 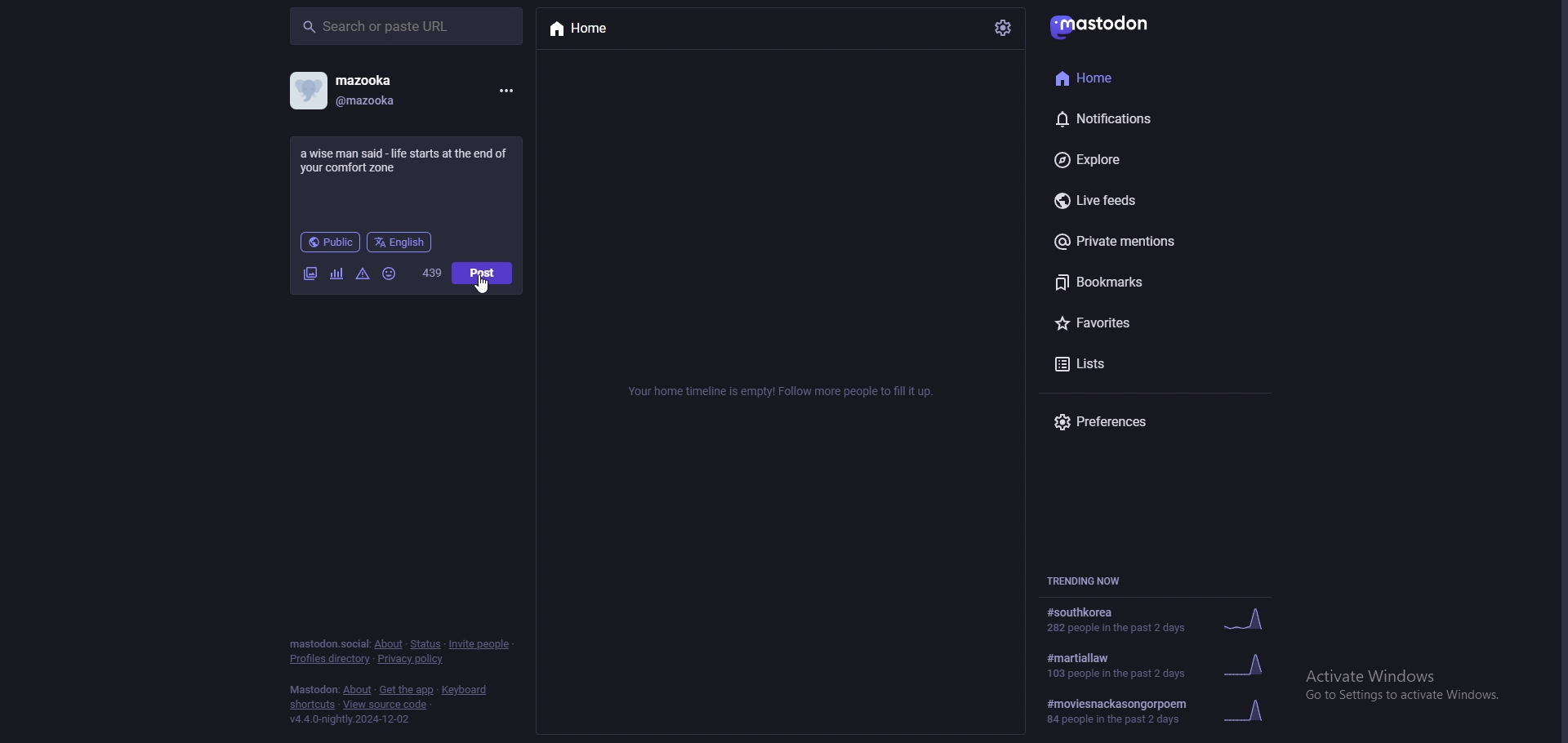 What do you see at coordinates (309, 274) in the screenshot?
I see `image` at bounding box center [309, 274].